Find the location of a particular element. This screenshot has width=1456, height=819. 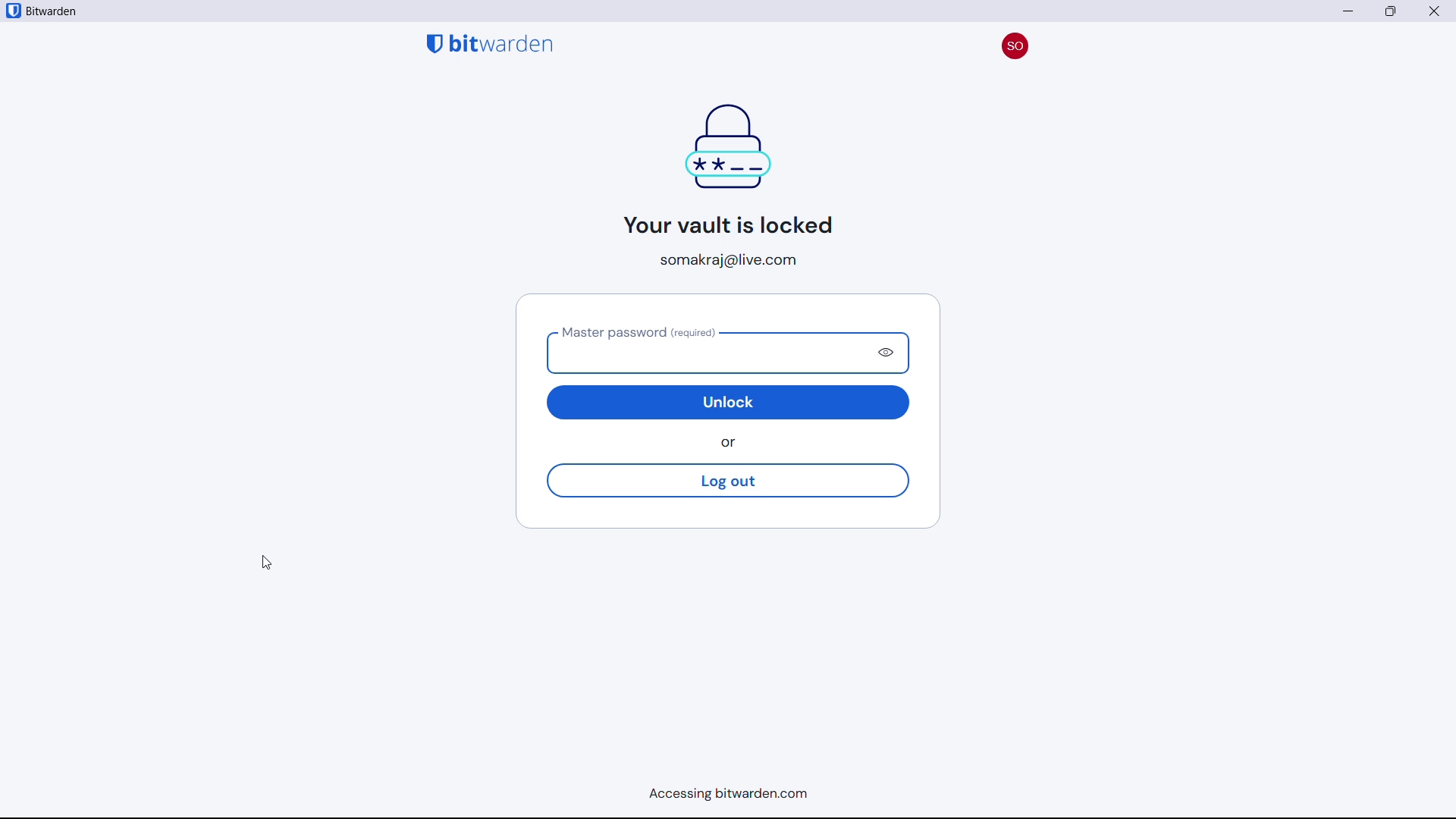

or is located at coordinates (733, 443).